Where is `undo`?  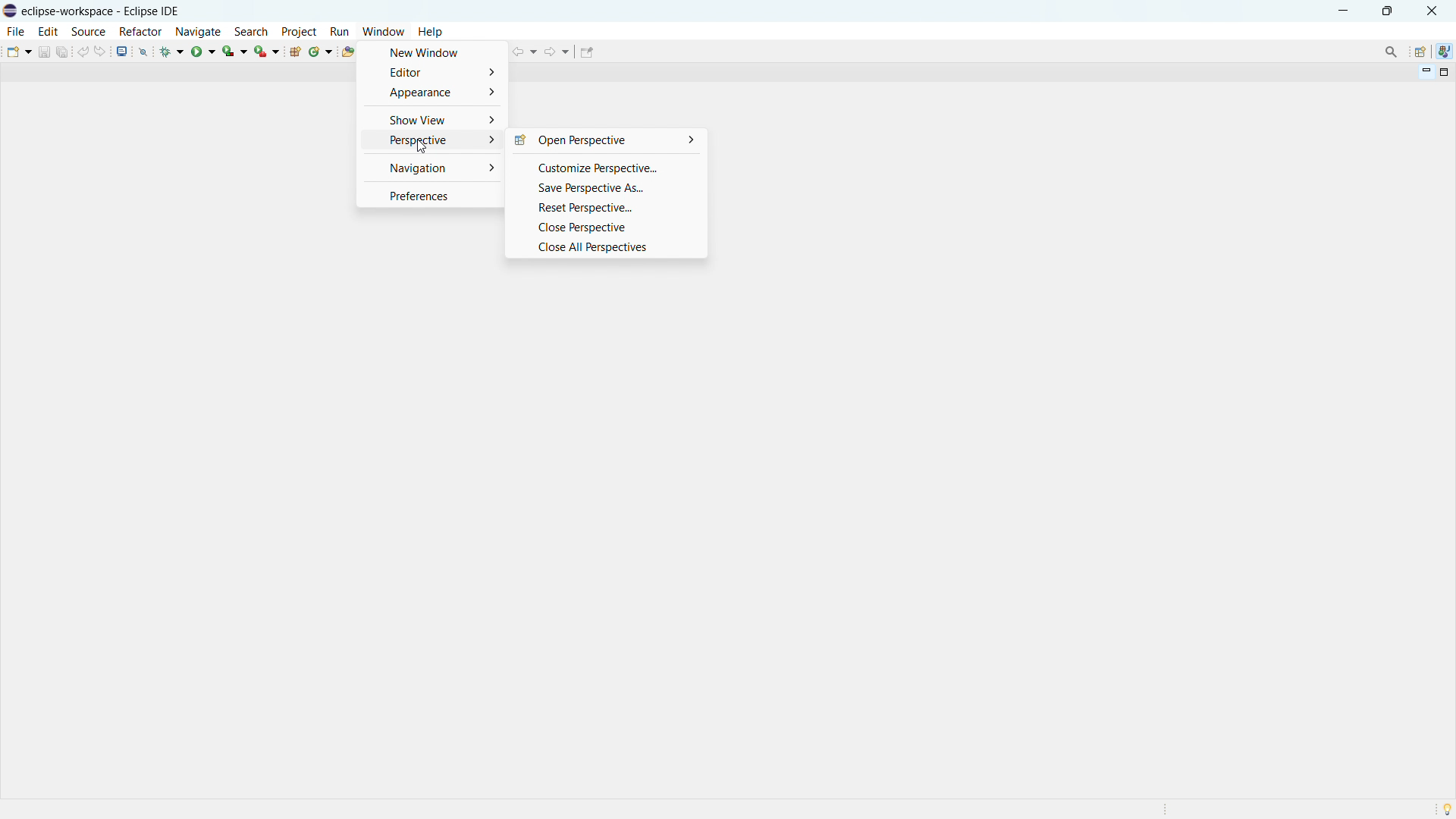
undo is located at coordinates (83, 51).